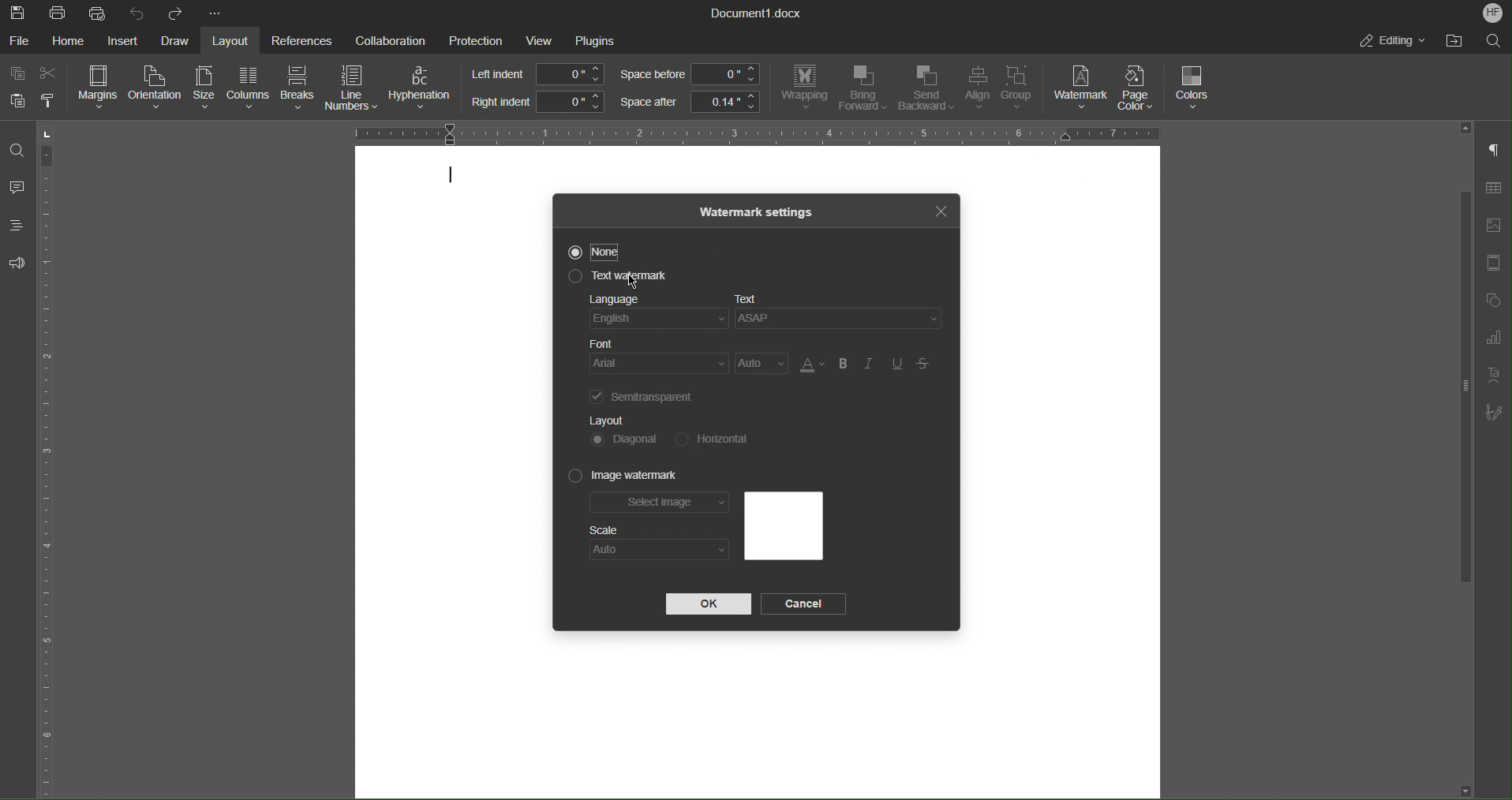 This screenshot has height=800, width=1512. What do you see at coordinates (1493, 39) in the screenshot?
I see `Search` at bounding box center [1493, 39].